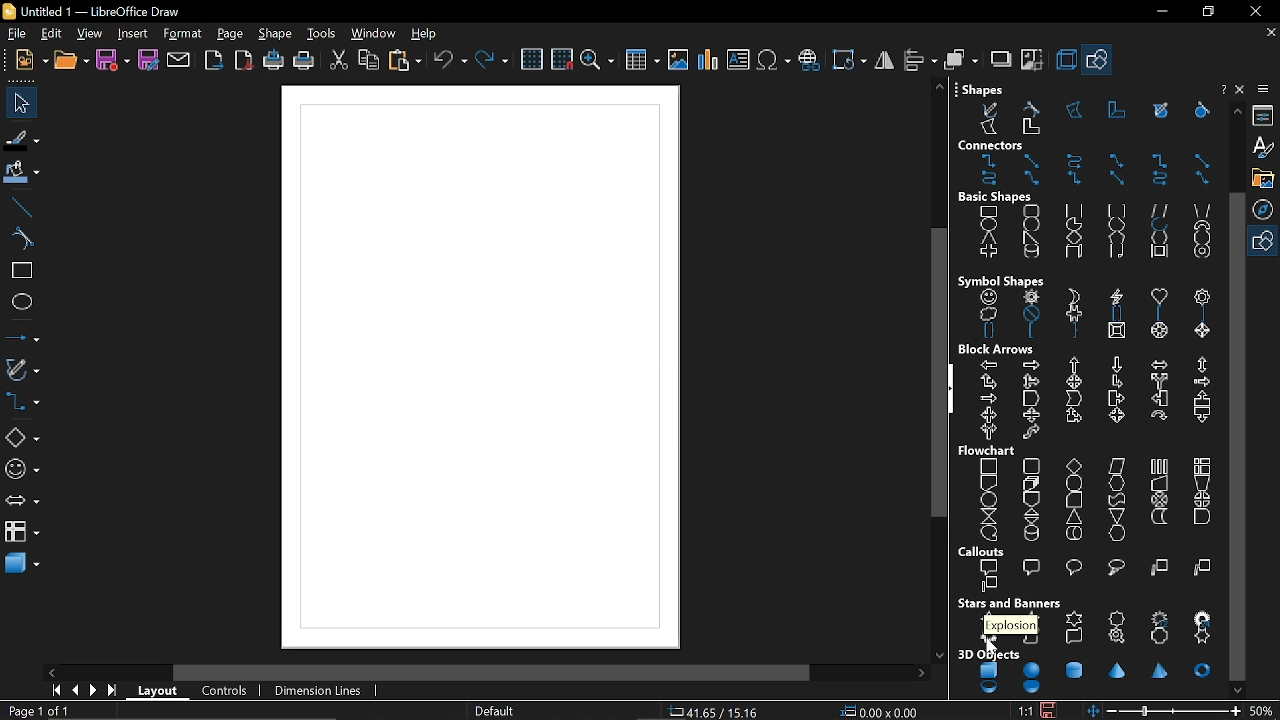 The width and height of the screenshot is (1280, 720). Describe the element at coordinates (847, 59) in the screenshot. I see `Transformation` at that location.